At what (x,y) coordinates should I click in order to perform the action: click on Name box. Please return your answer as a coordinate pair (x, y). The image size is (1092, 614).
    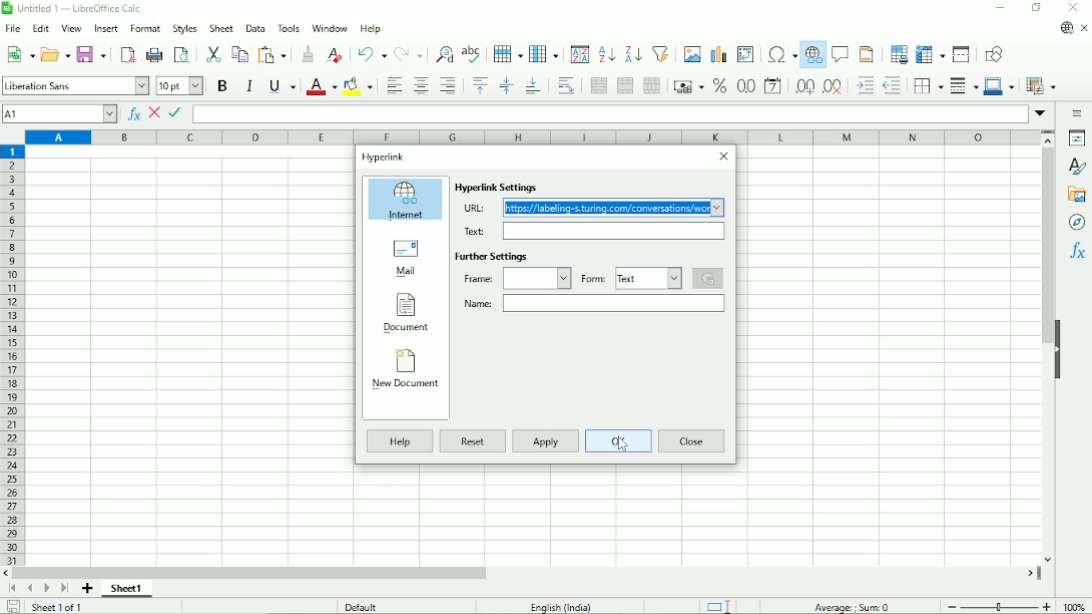
    Looking at the image, I should click on (613, 303).